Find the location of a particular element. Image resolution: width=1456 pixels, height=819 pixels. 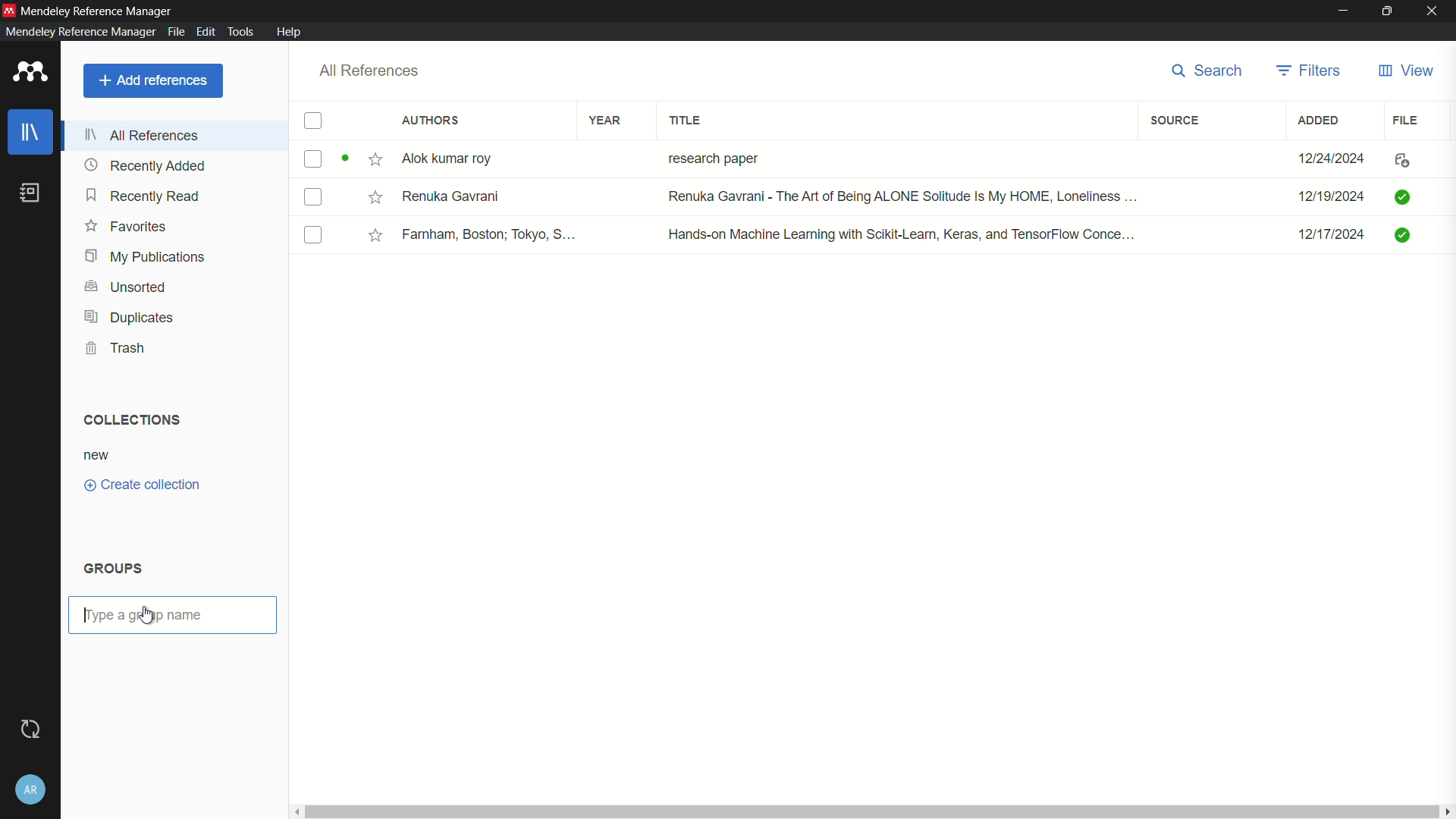

Mendeley Reference Manager is located at coordinates (99, 9).